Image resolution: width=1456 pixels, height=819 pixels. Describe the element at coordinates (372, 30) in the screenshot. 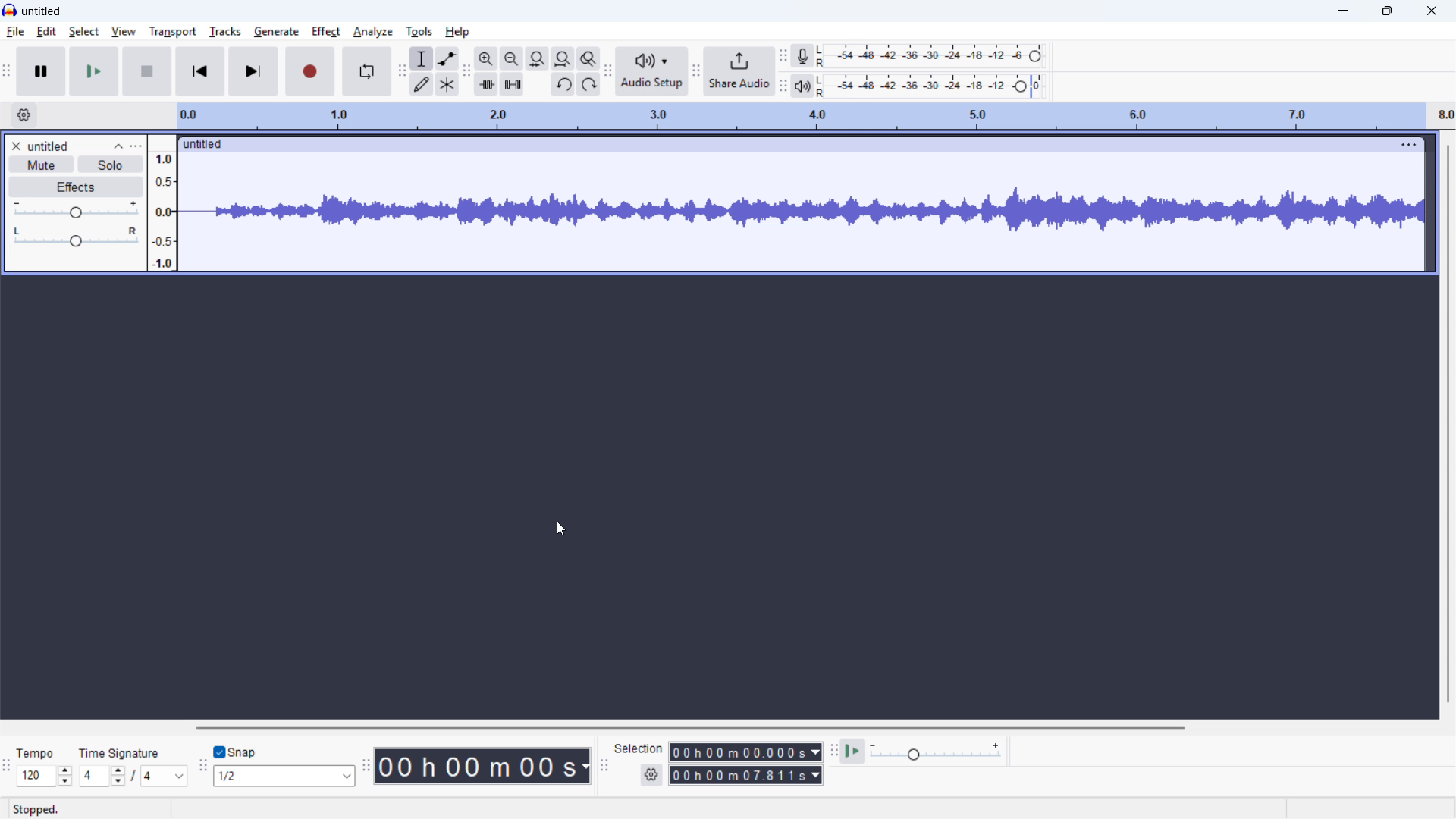

I see `analyze` at that location.